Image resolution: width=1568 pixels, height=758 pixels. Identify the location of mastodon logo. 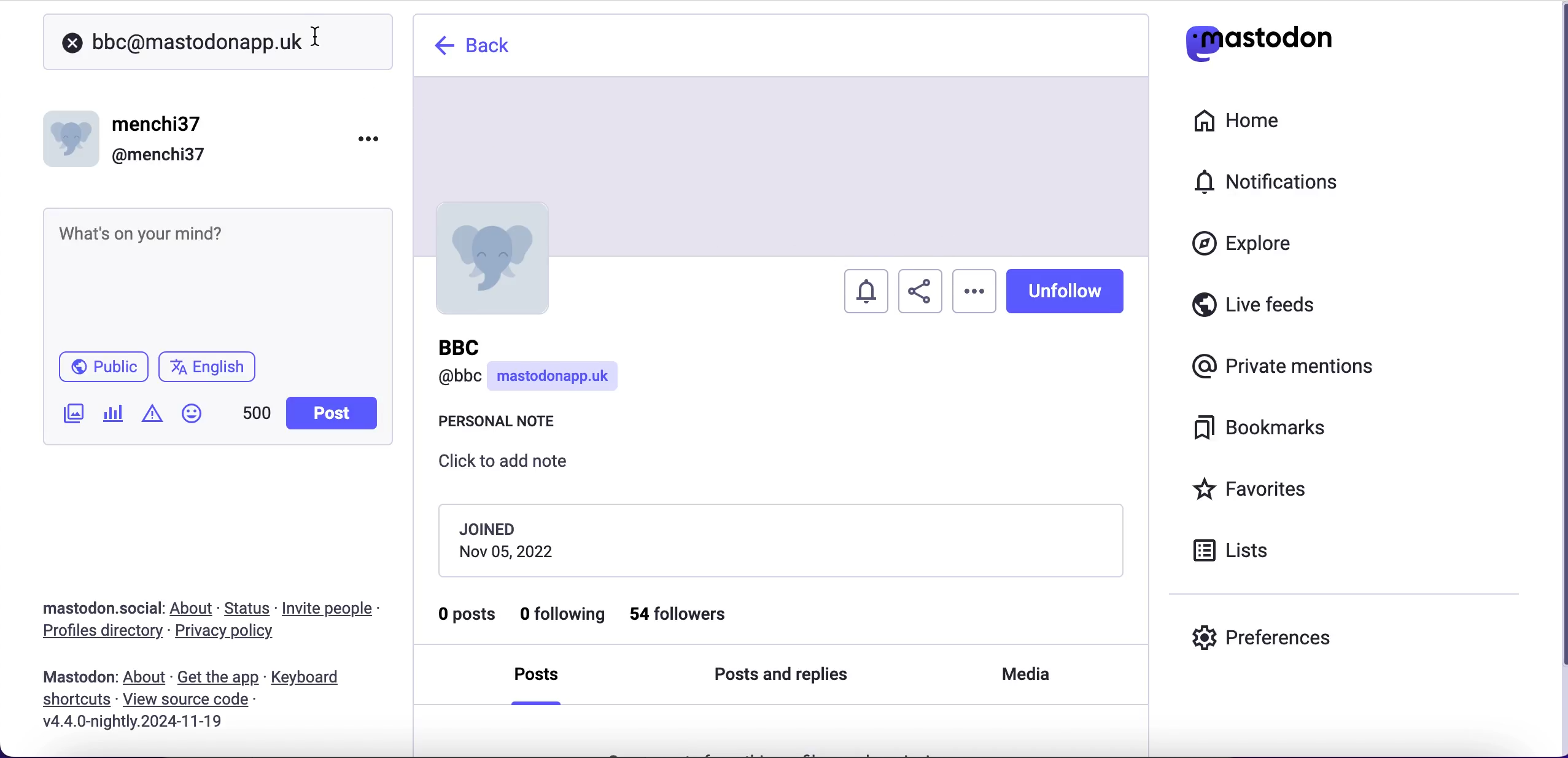
(1259, 40).